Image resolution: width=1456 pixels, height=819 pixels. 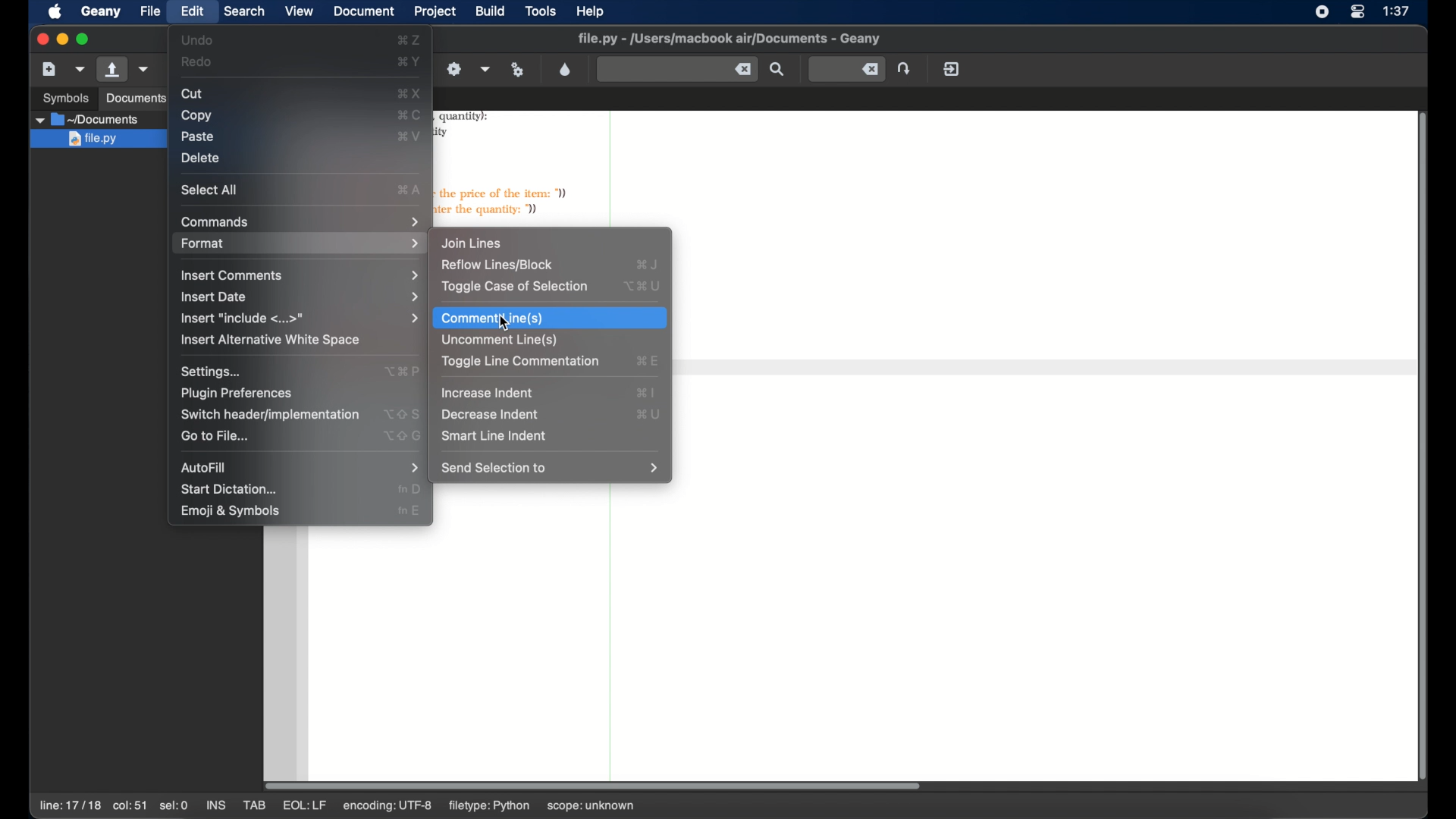 I want to click on col:51, so click(x=130, y=807).